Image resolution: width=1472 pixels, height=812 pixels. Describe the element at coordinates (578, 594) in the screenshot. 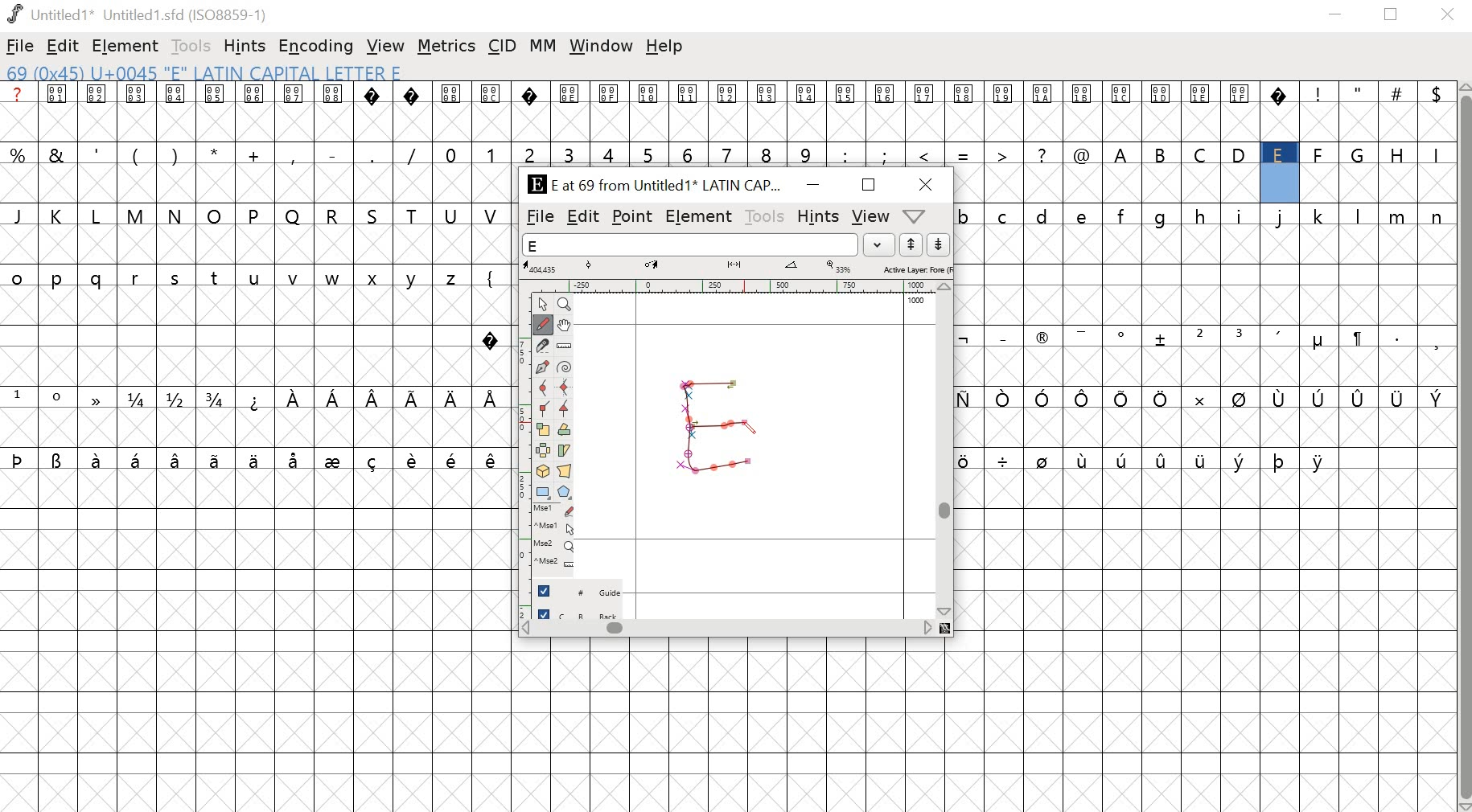

I see `guide layer` at that location.